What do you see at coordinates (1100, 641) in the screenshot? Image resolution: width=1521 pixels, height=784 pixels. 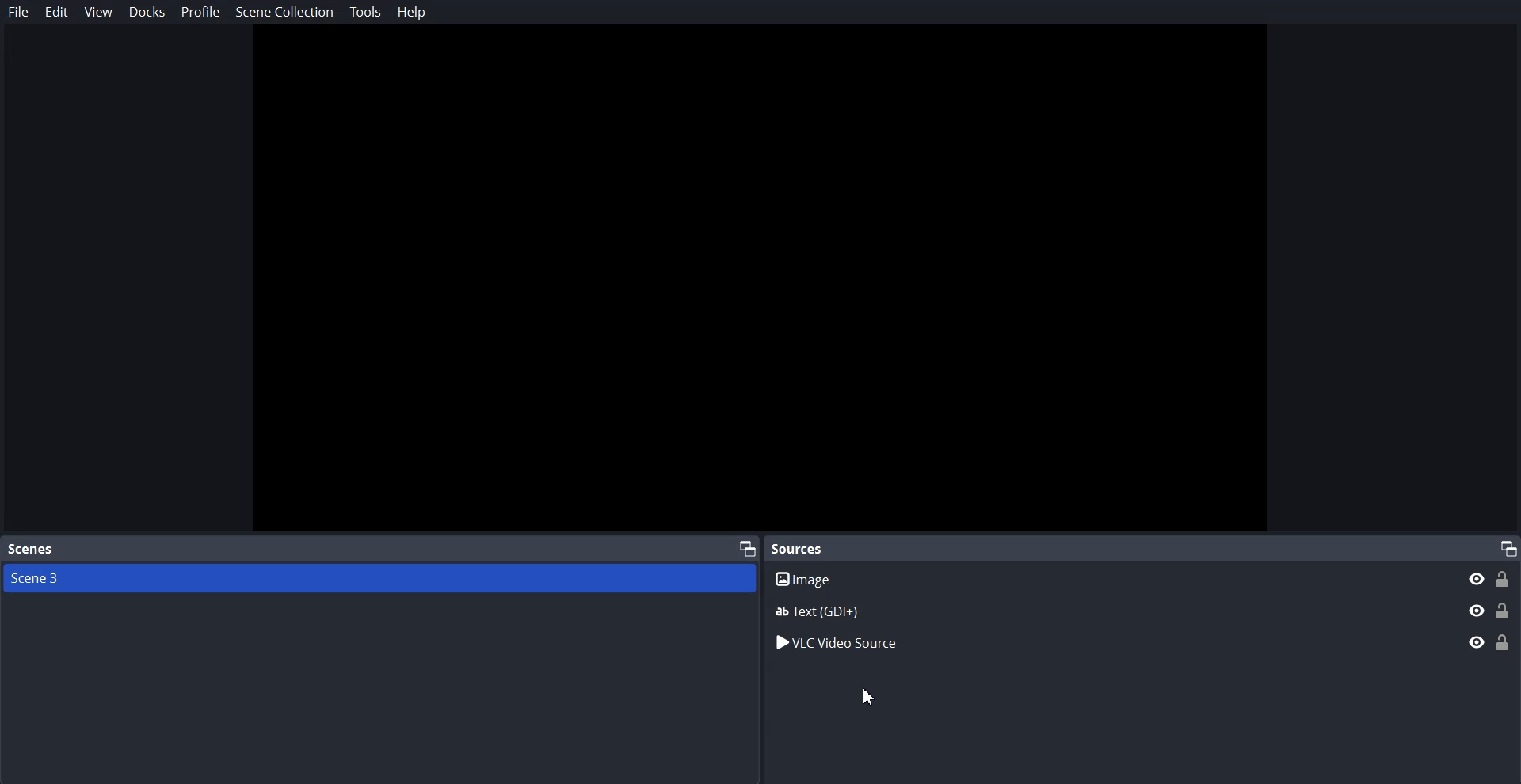 I see `VLC Video Source` at bounding box center [1100, 641].